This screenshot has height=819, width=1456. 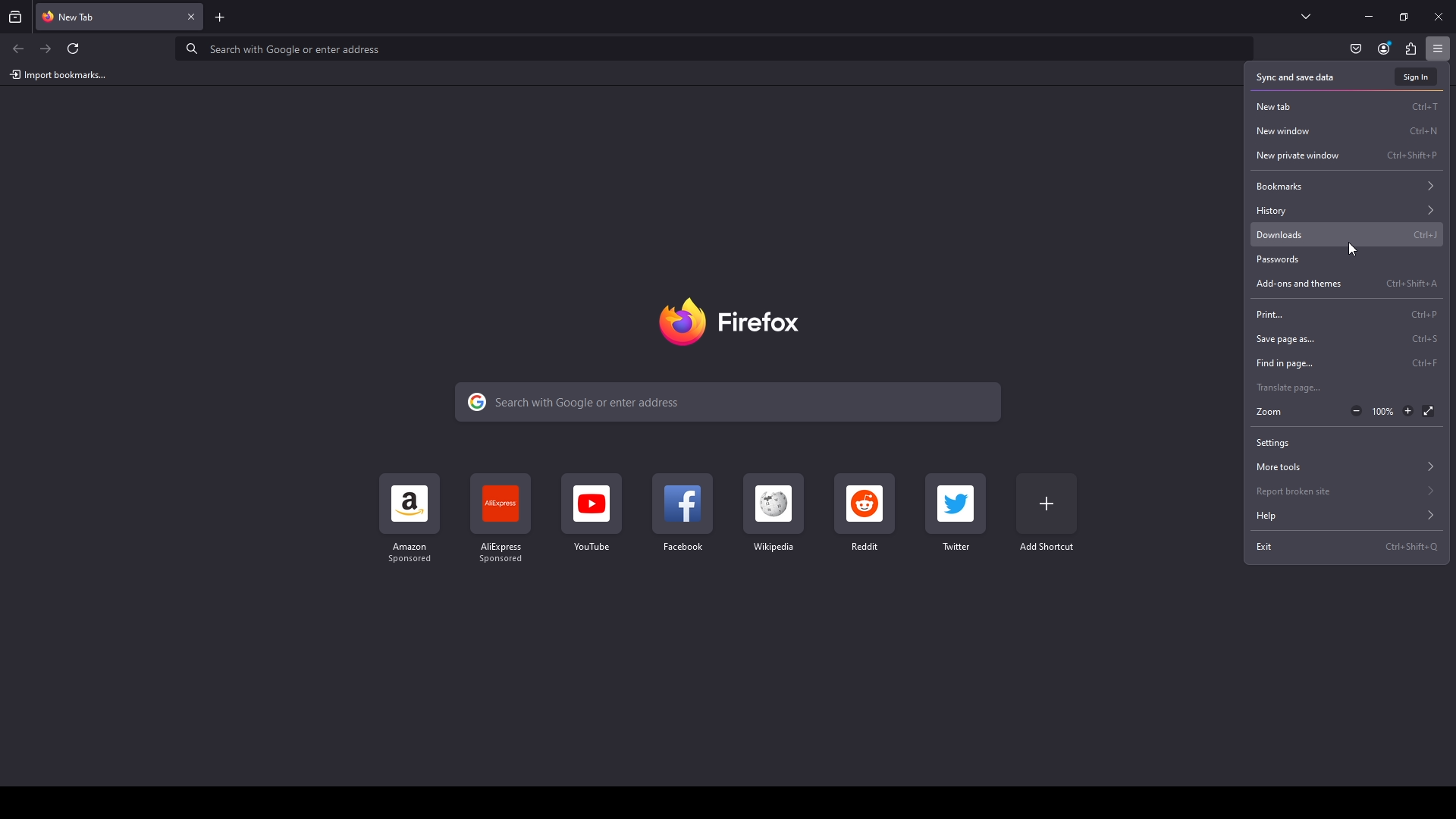 What do you see at coordinates (1407, 411) in the screenshot?
I see `Increase zoom` at bounding box center [1407, 411].